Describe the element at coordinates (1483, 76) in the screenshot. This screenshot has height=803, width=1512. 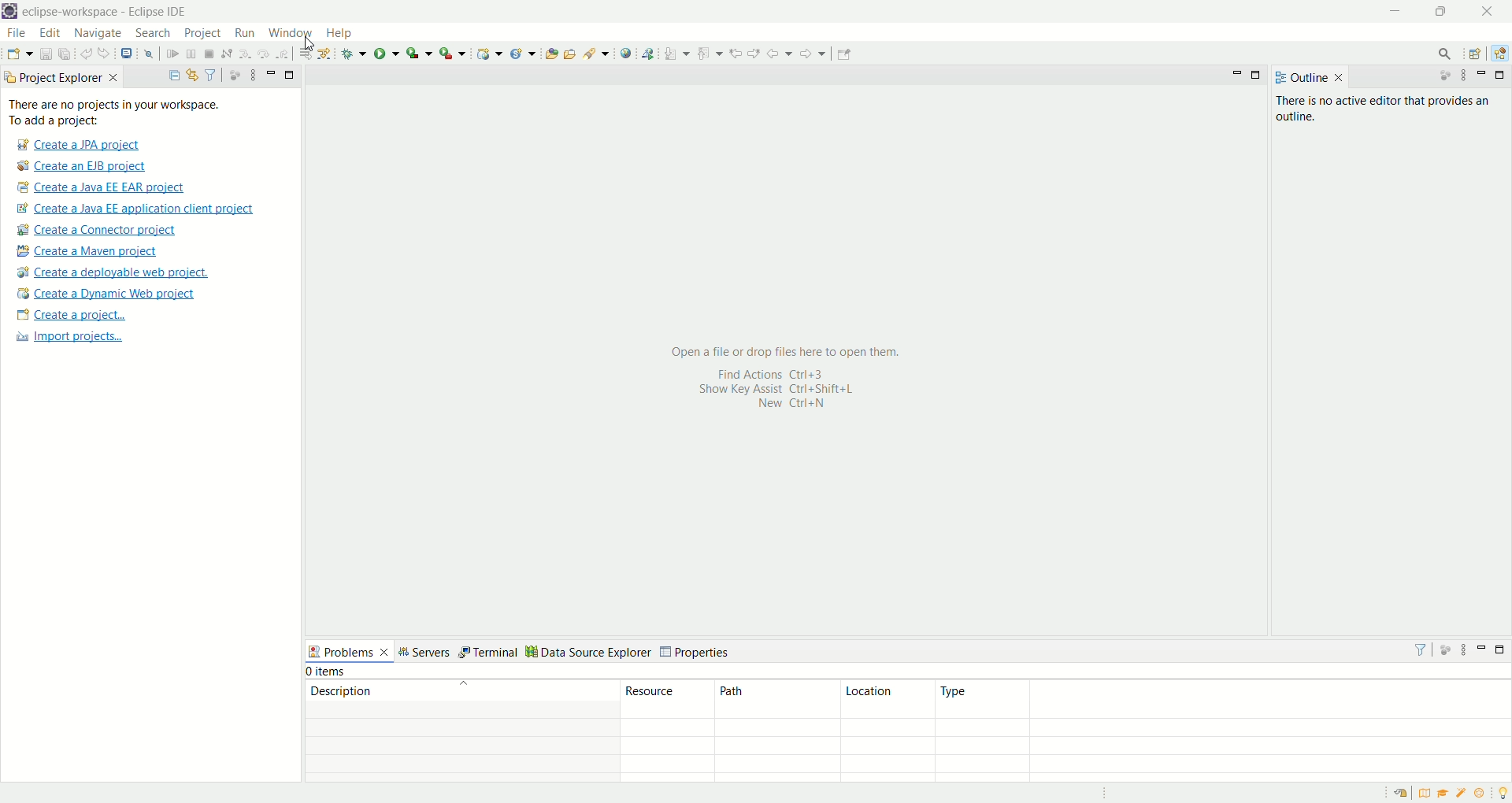
I see `minimize` at that location.